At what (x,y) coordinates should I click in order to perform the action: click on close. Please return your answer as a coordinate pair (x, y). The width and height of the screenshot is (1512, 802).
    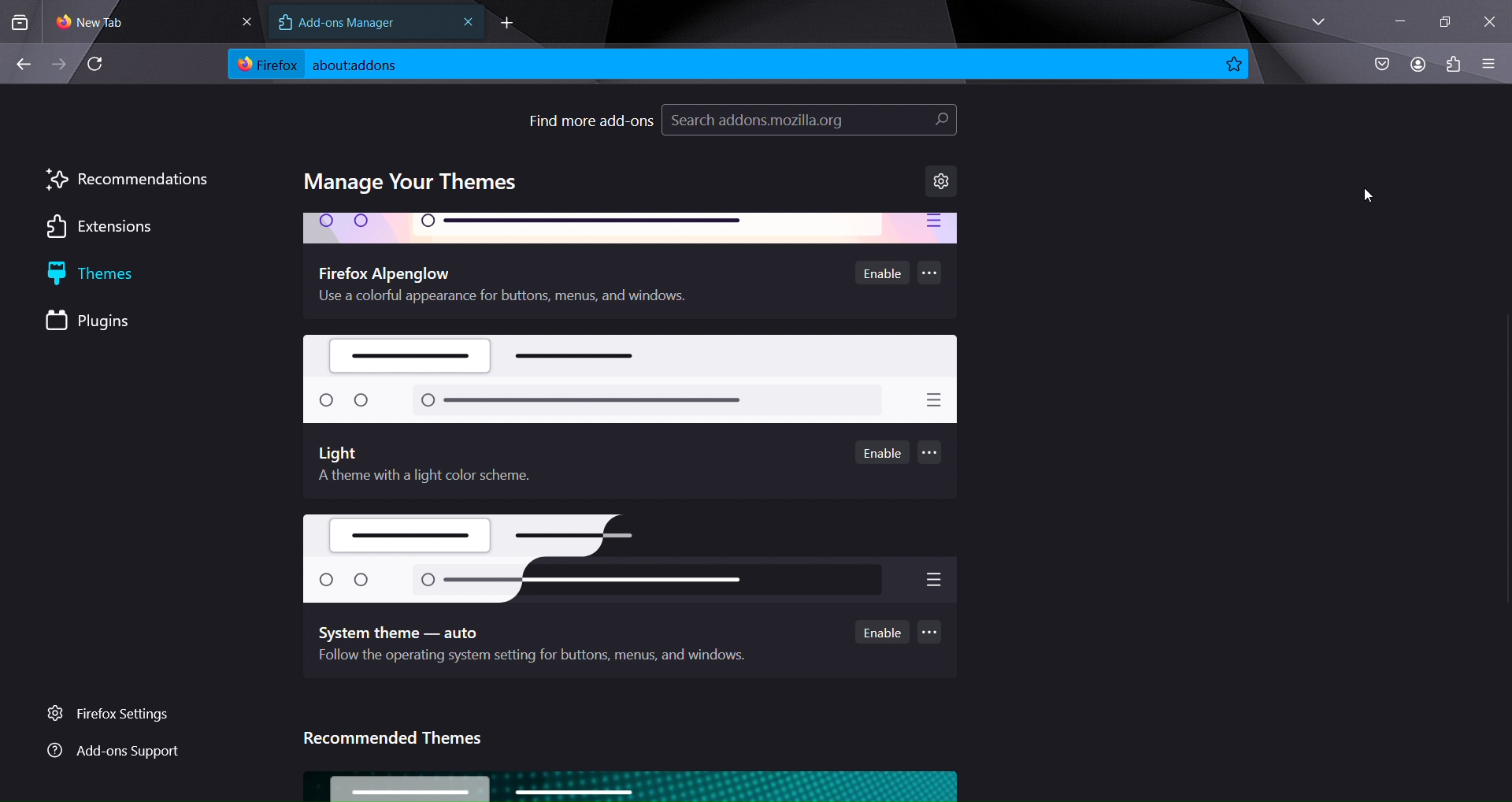
    Looking at the image, I should click on (242, 20).